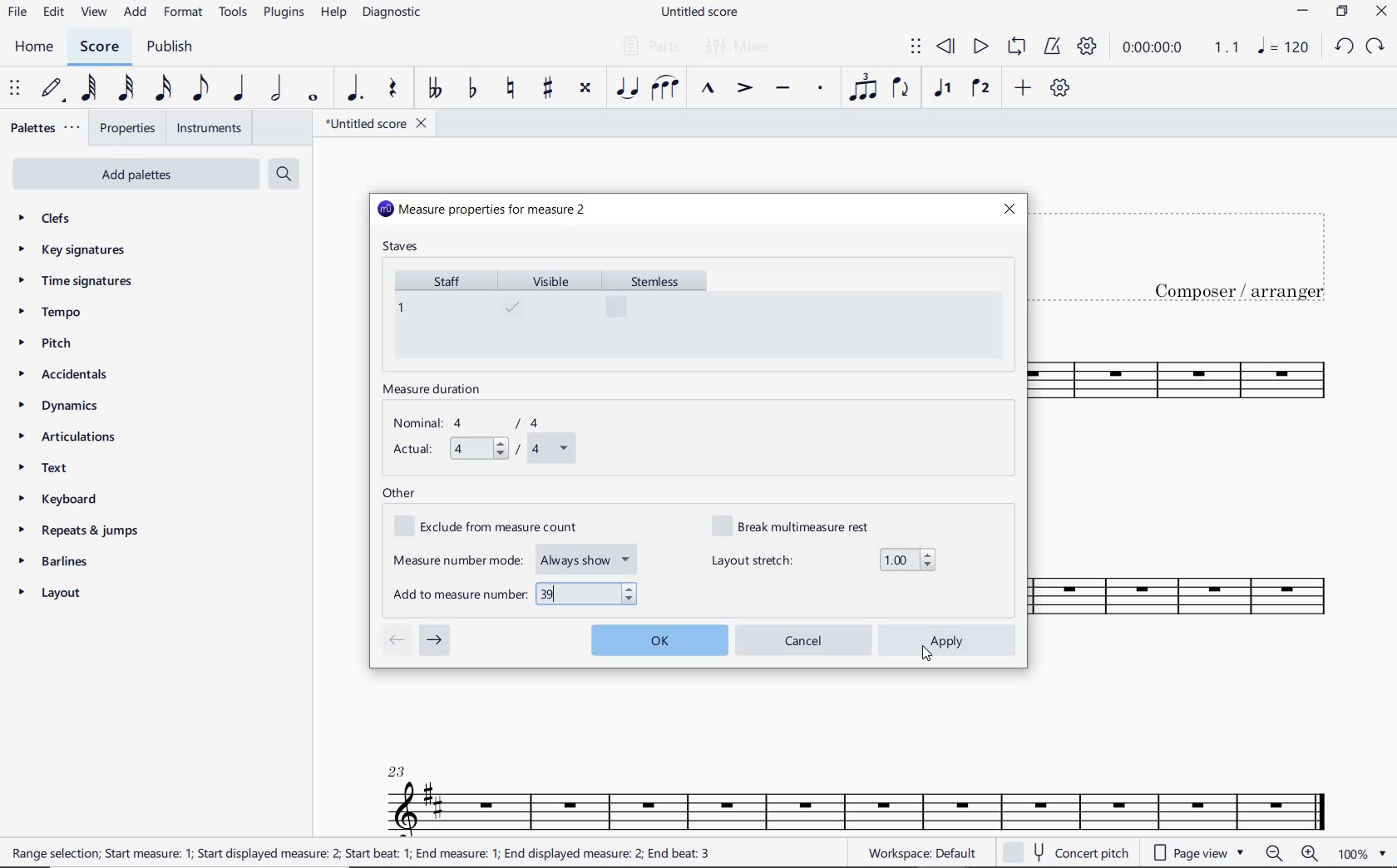  What do you see at coordinates (550, 313) in the screenshot?
I see `visible` at bounding box center [550, 313].